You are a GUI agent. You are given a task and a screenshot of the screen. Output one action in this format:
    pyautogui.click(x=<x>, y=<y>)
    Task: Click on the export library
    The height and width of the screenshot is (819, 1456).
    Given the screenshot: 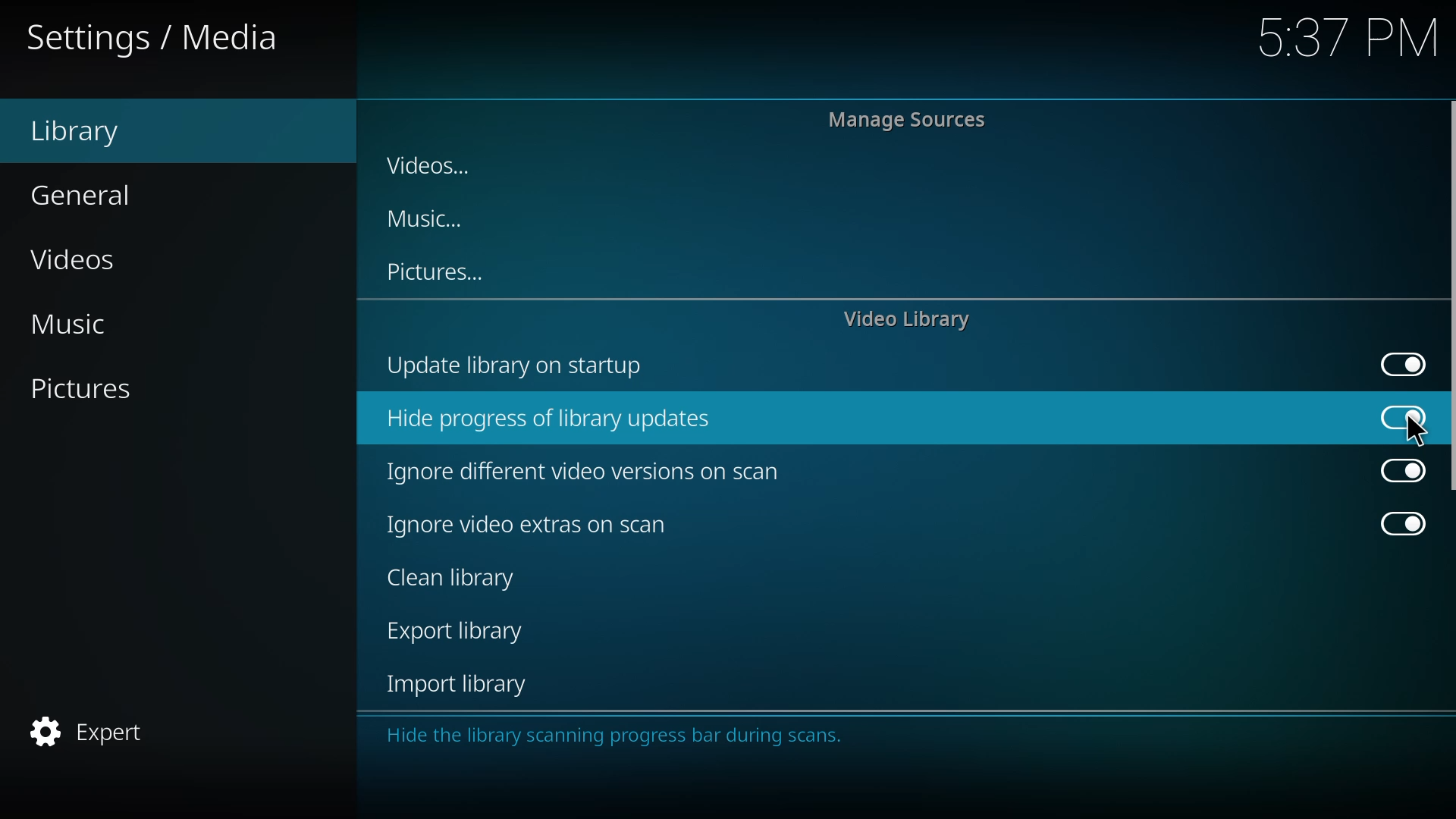 What is the action you would take?
    pyautogui.click(x=455, y=629)
    